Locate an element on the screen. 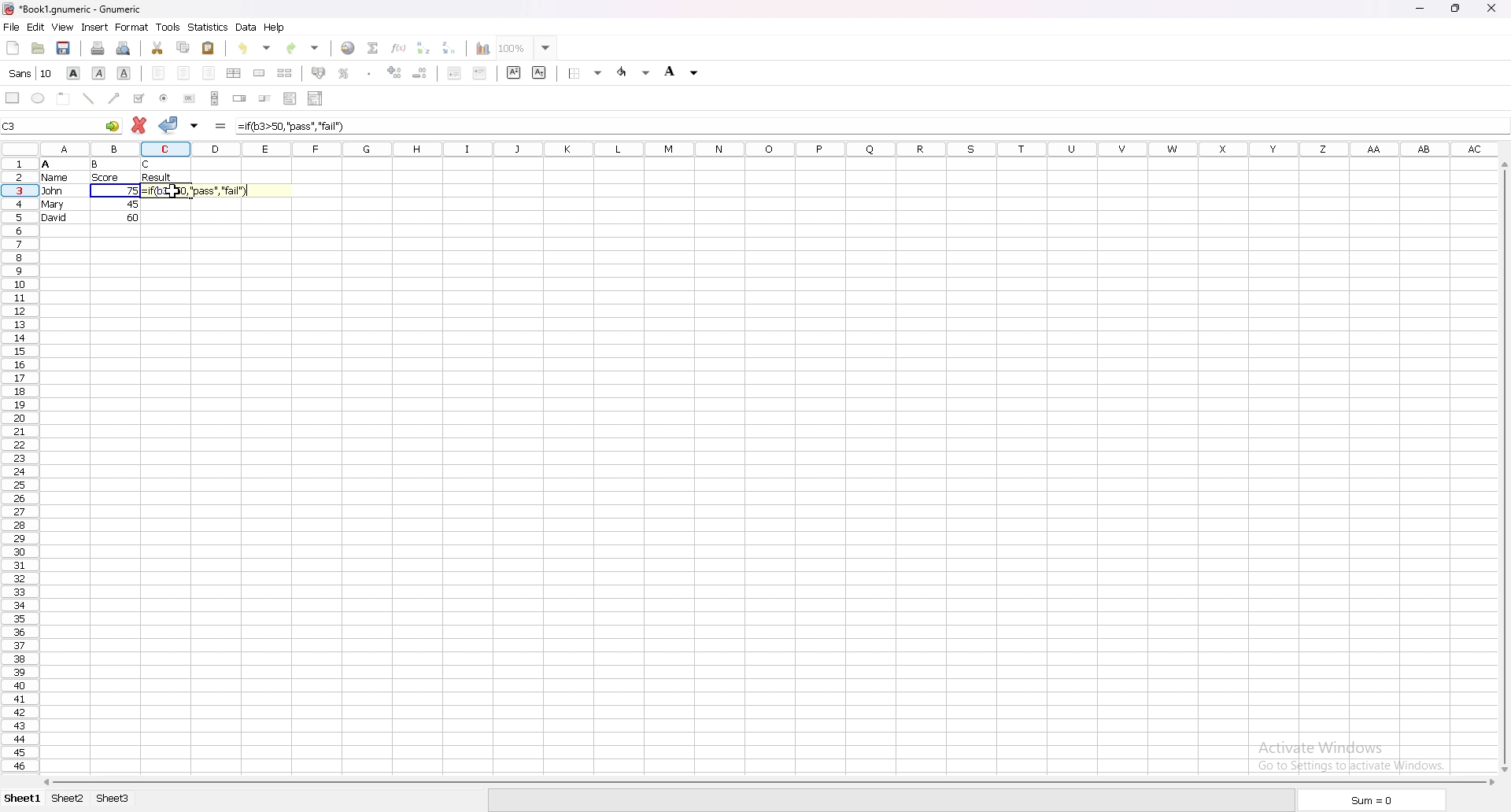  file name is located at coordinates (74, 9).